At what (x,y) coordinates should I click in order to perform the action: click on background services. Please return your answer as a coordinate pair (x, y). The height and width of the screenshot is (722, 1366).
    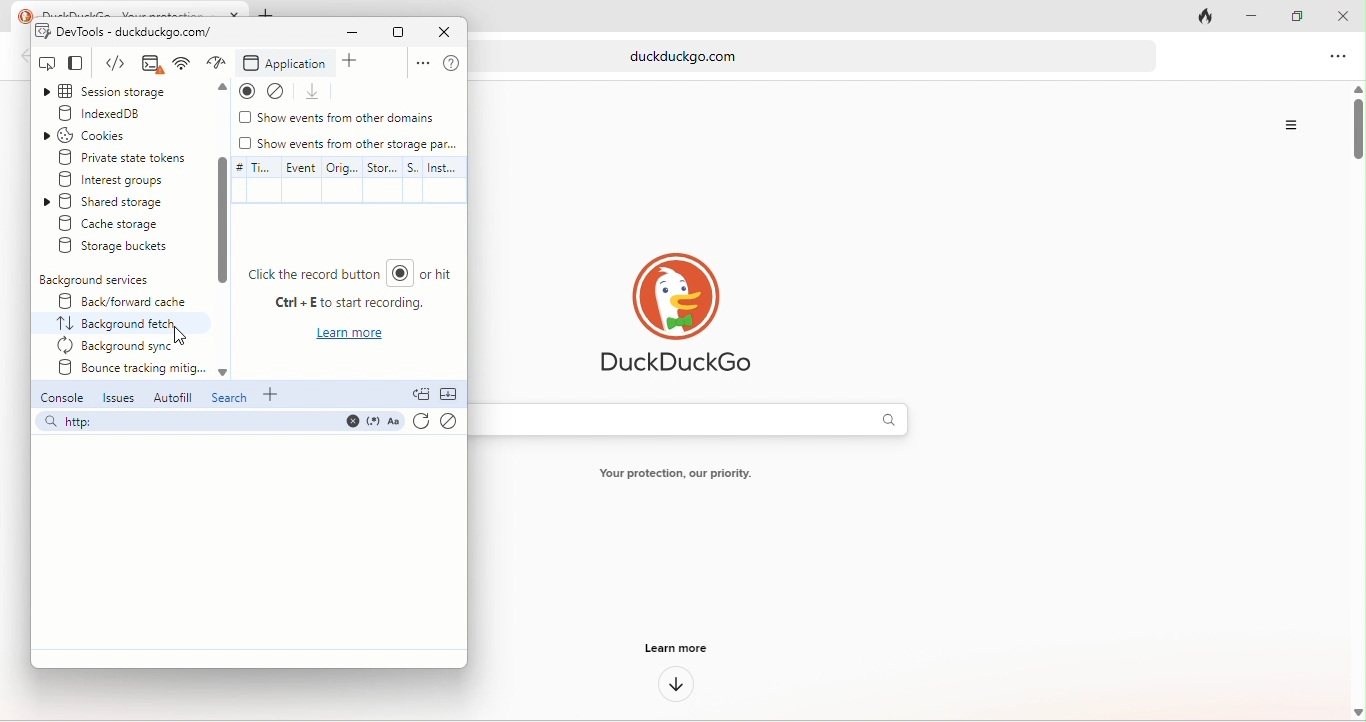
    Looking at the image, I should click on (98, 280).